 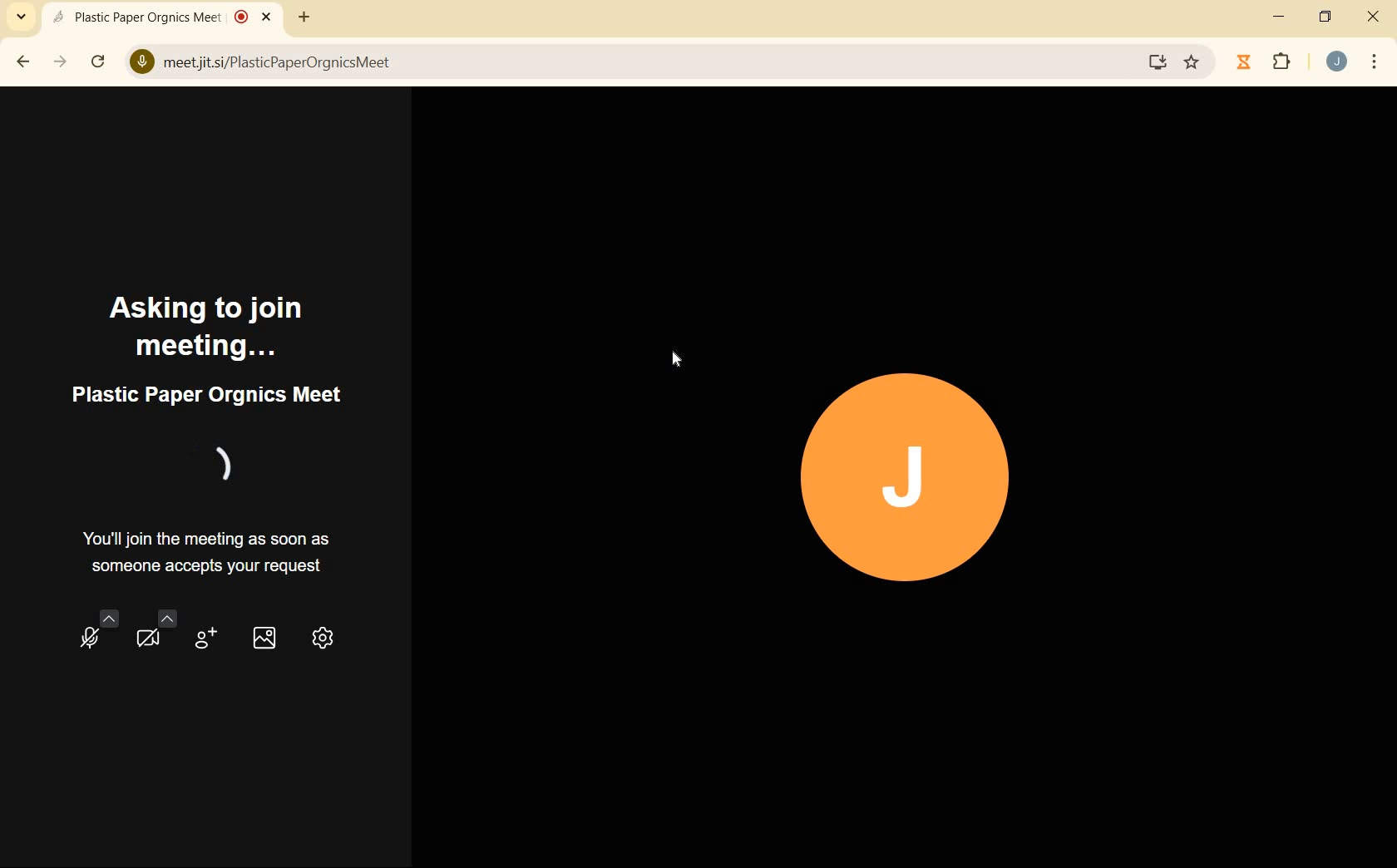 I want to click on loading - waiting for moderator to join, so click(x=220, y=465).